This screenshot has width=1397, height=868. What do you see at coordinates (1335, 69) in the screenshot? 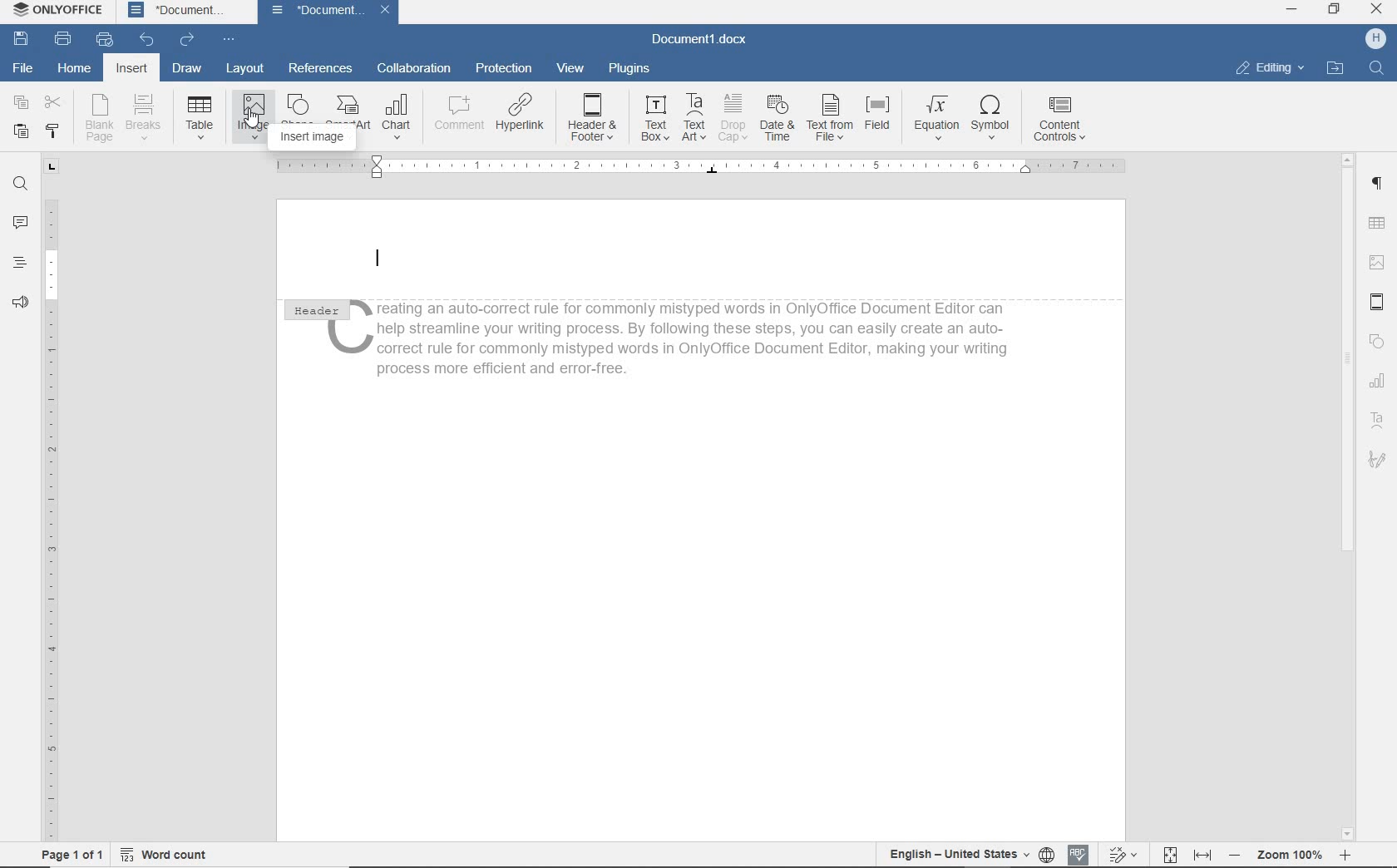
I see `OPEN FILE LOCTION` at bounding box center [1335, 69].